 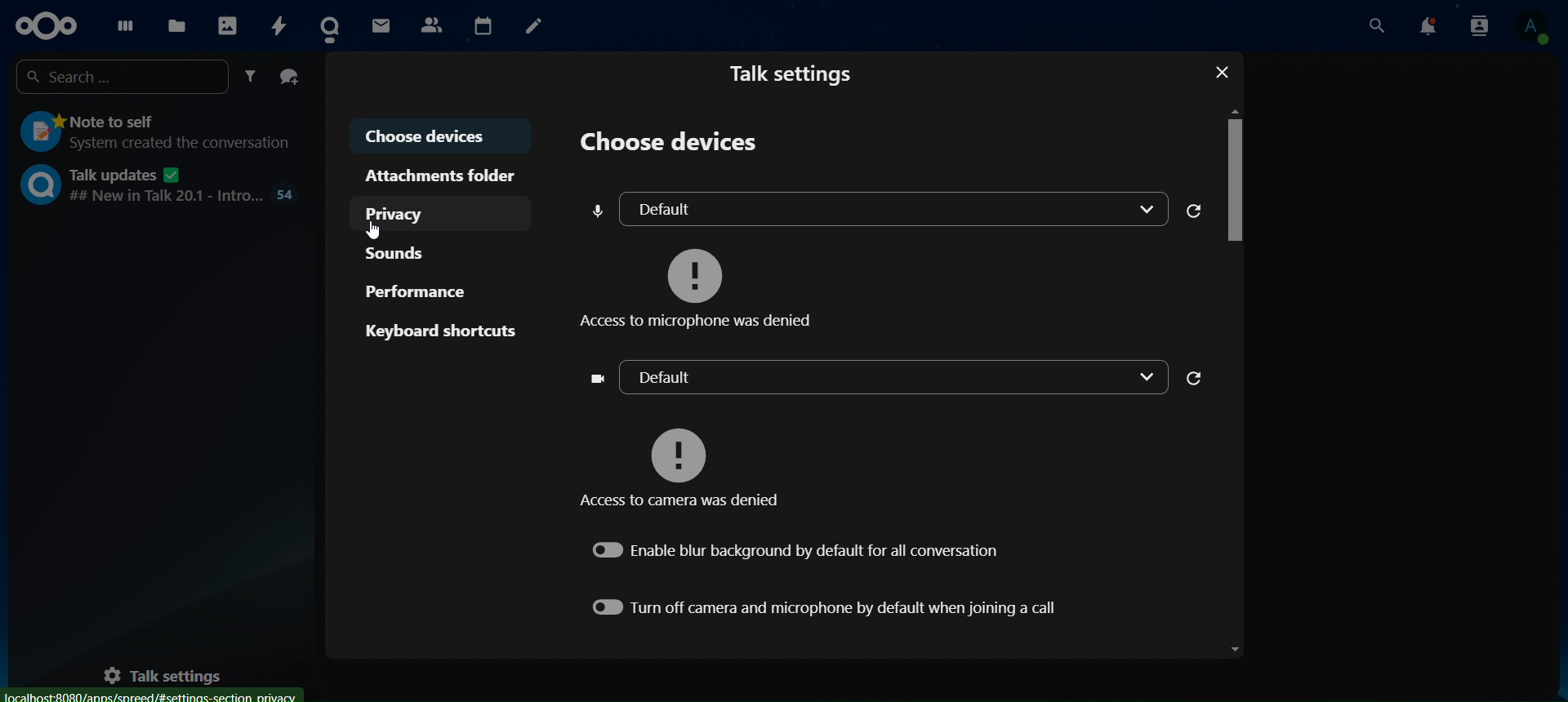 What do you see at coordinates (1379, 25) in the screenshot?
I see `search` at bounding box center [1379, 25].